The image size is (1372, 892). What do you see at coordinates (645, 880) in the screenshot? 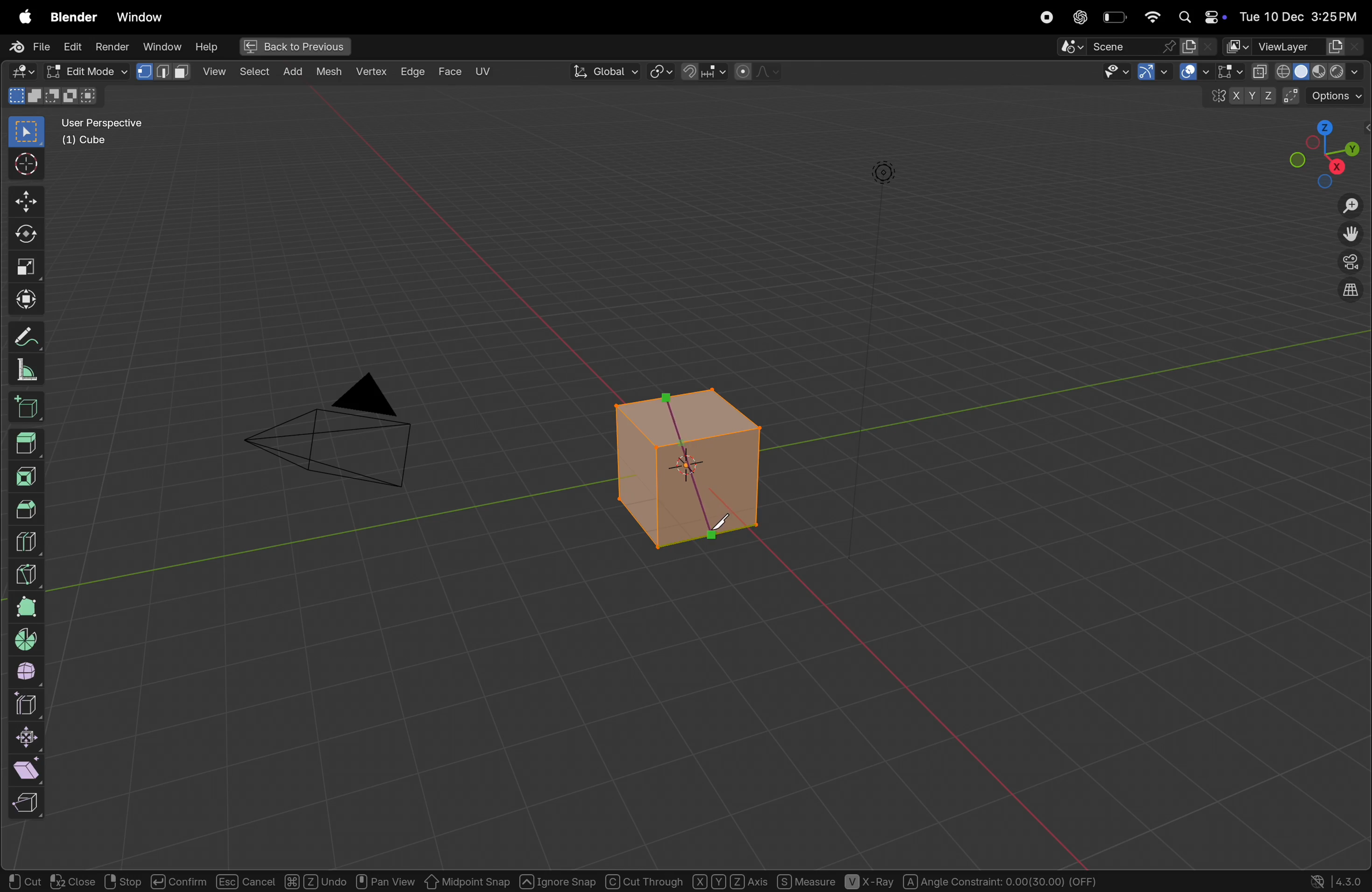
I see `Cut Through` at bounding box center [645, 880].